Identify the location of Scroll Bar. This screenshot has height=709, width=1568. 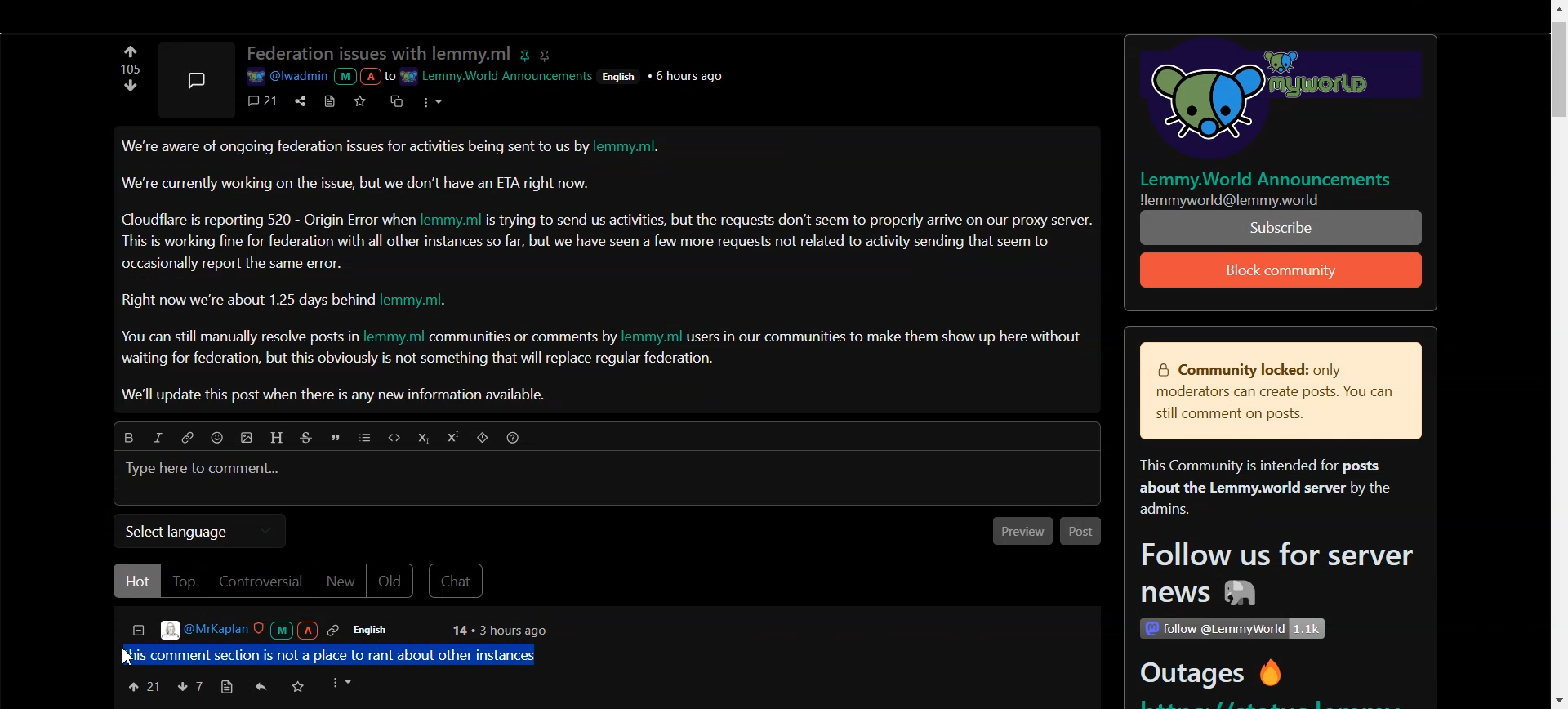
(1557, 354).